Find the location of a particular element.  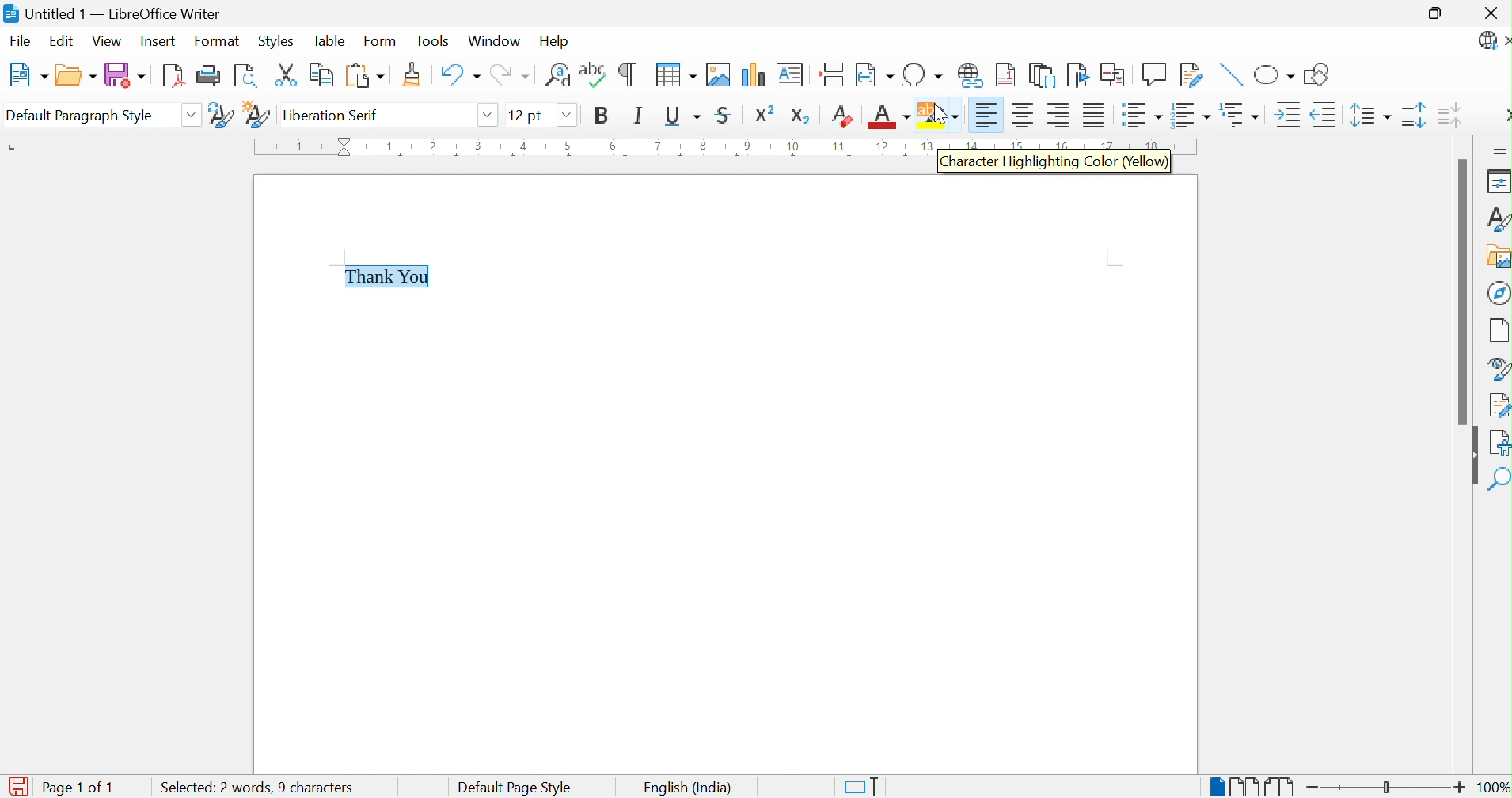

Single-page View is located at coordinates (1212, 785).